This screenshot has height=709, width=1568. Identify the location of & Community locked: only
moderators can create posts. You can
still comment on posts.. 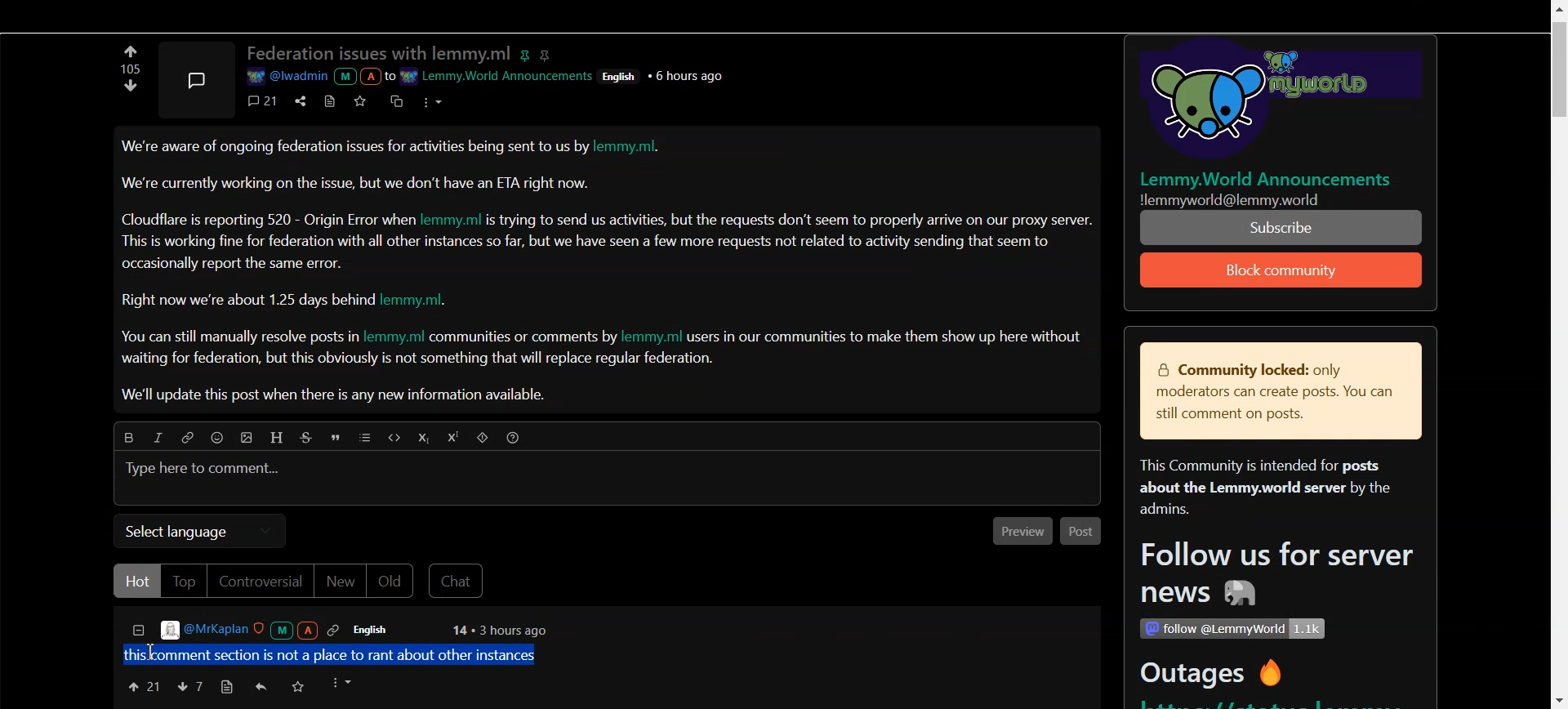
(1269, 393).